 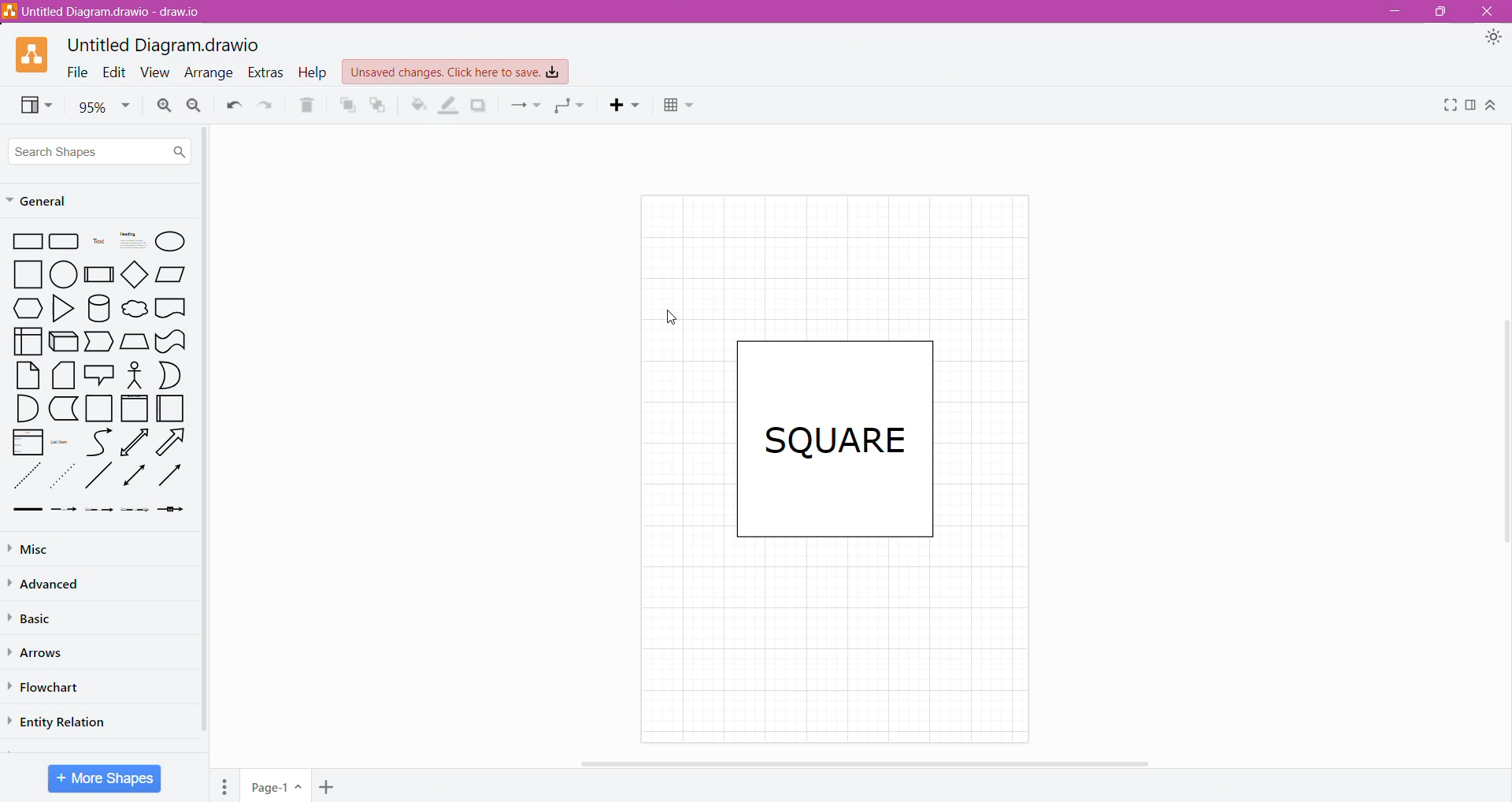 I want to click on Parallelogram, so click(x=172, y=275).